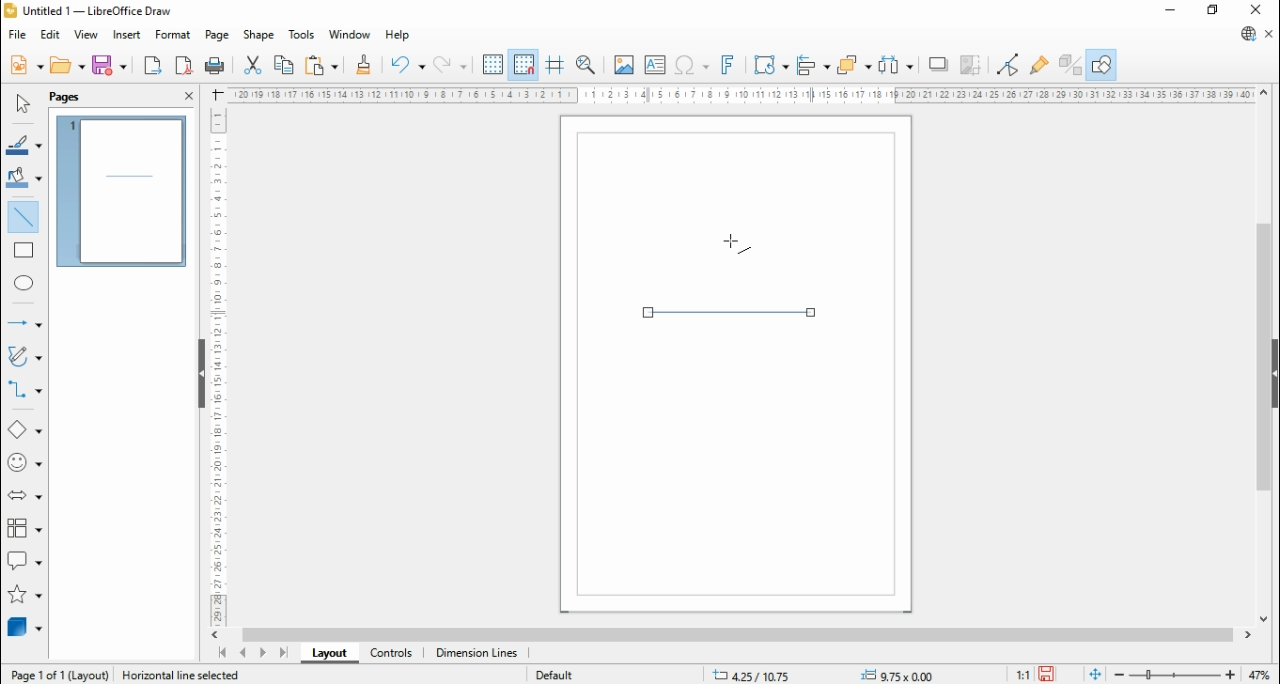 The height and width of the screenshot is (684, 1280). Describe the element at coordinates (25, 627) in the screenshot. I see `3D objects` at that location.